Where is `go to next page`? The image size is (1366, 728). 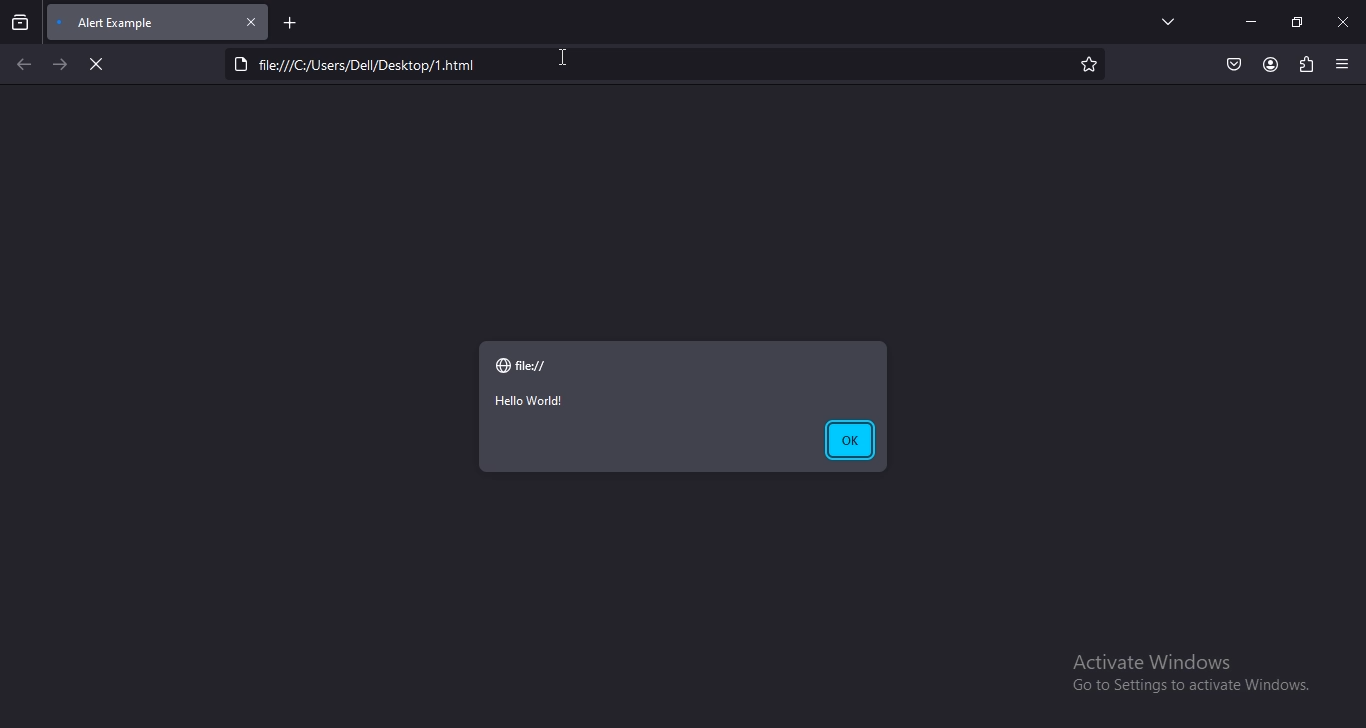
go to next page is located at coordinates (58, 65).